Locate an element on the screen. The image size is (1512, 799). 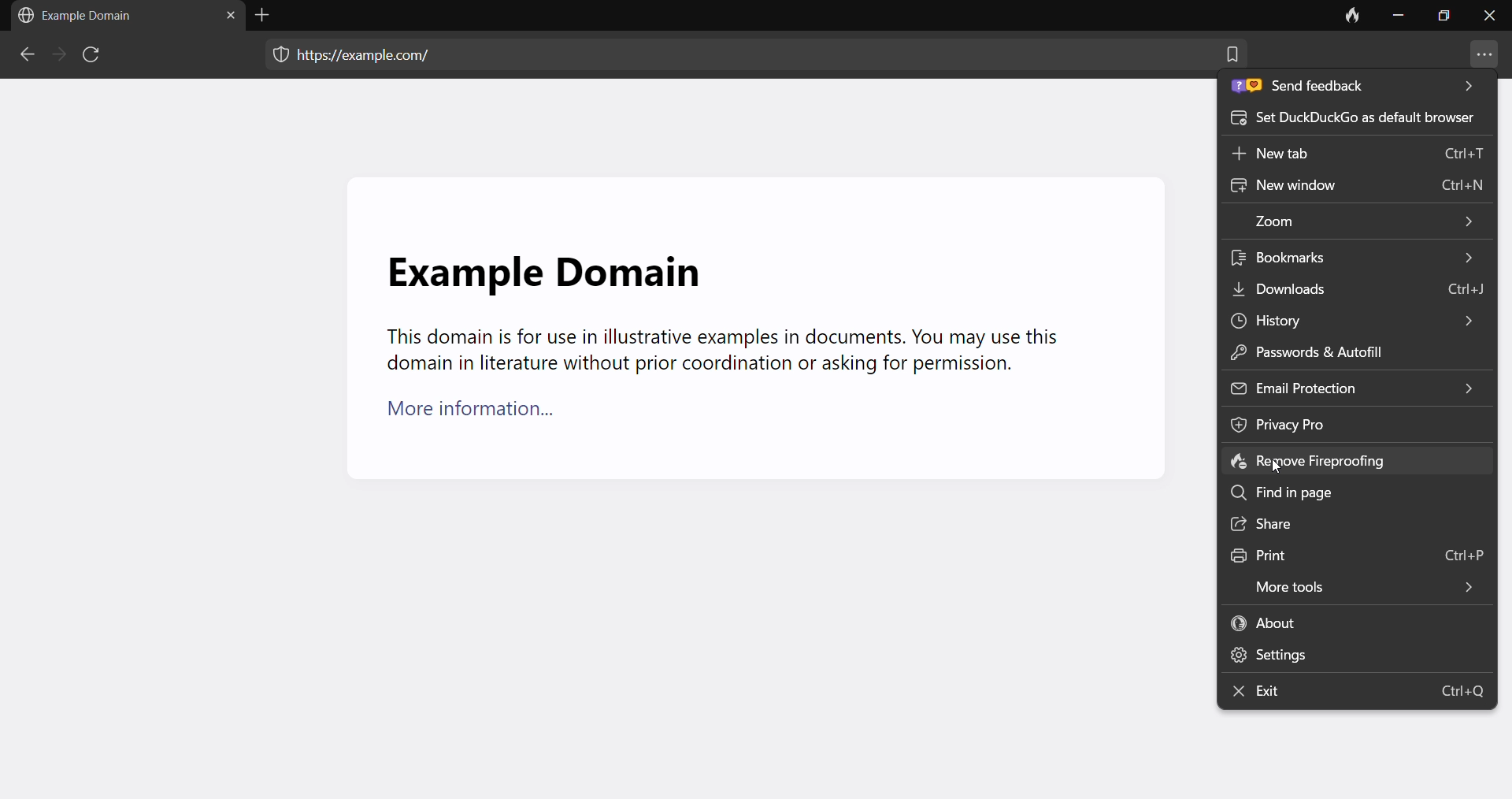
This domain is for use in illustrative examples in documents. You may use this
domain in literature without prior coordination or asking for permission. is located at coordinates (720, 351).